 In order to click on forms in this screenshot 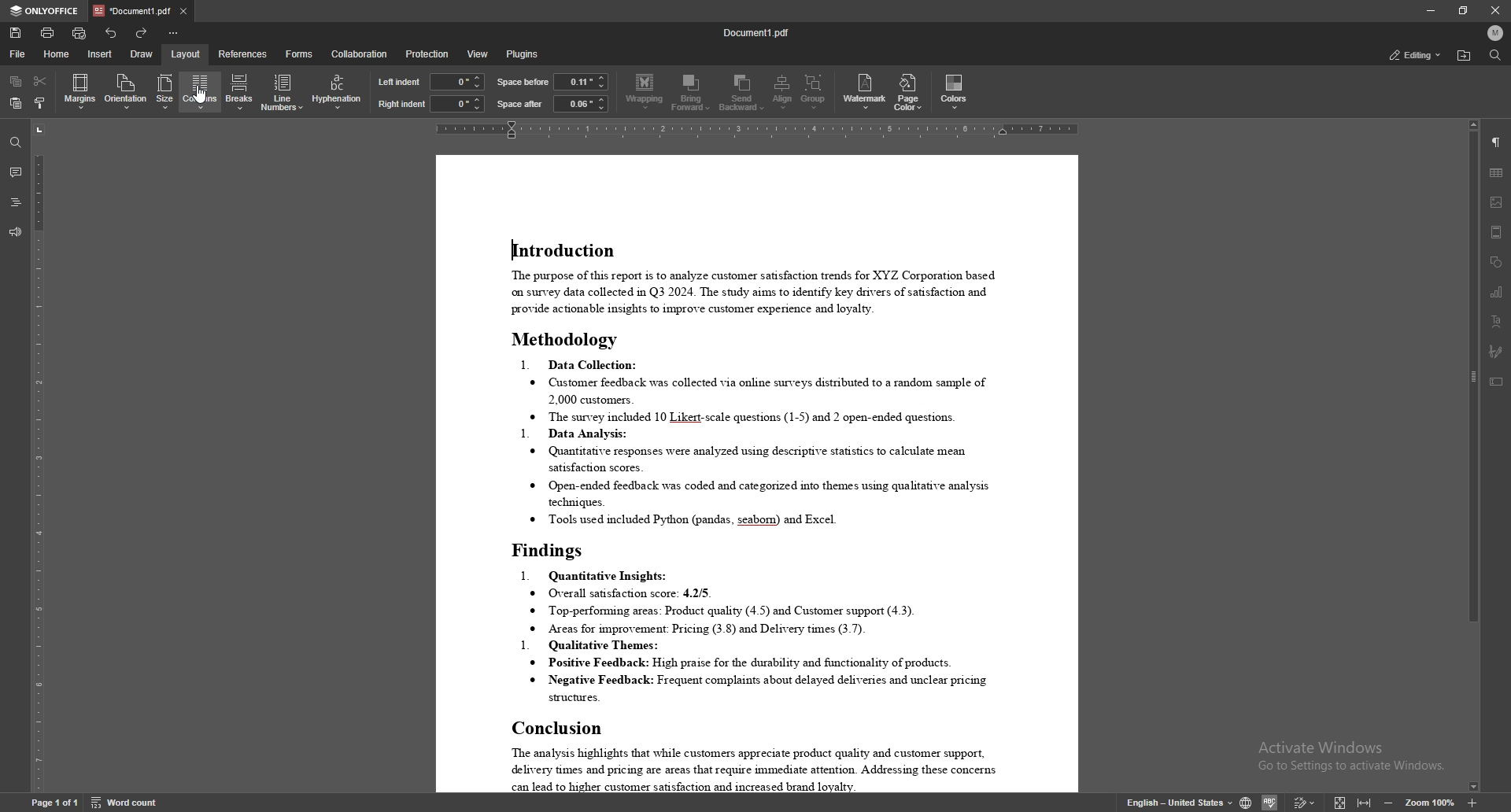, I will do `click(299, 54)`.